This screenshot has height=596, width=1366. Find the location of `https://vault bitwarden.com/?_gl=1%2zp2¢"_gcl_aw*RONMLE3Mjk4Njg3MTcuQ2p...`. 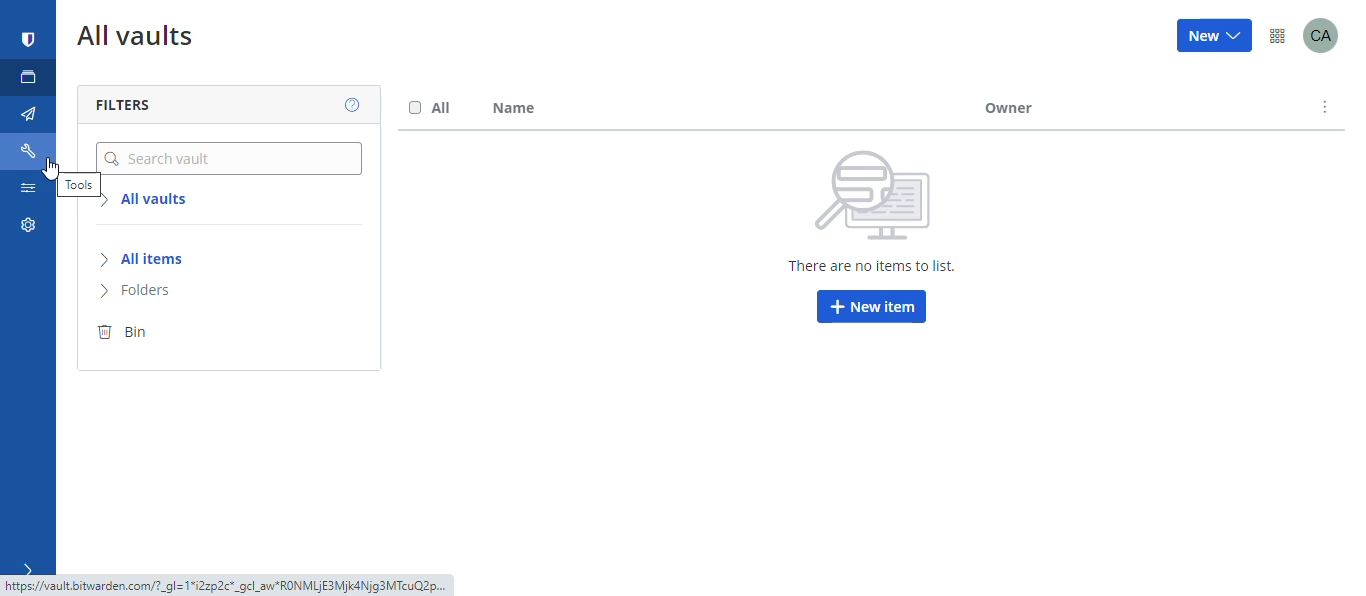

https://vault bitwarden.com/?_gl=1%2zp2¢"_gcl_aw*RONMLE3Mjk4Njg3MTcuQ2p... is located at coordinates (222, 585).